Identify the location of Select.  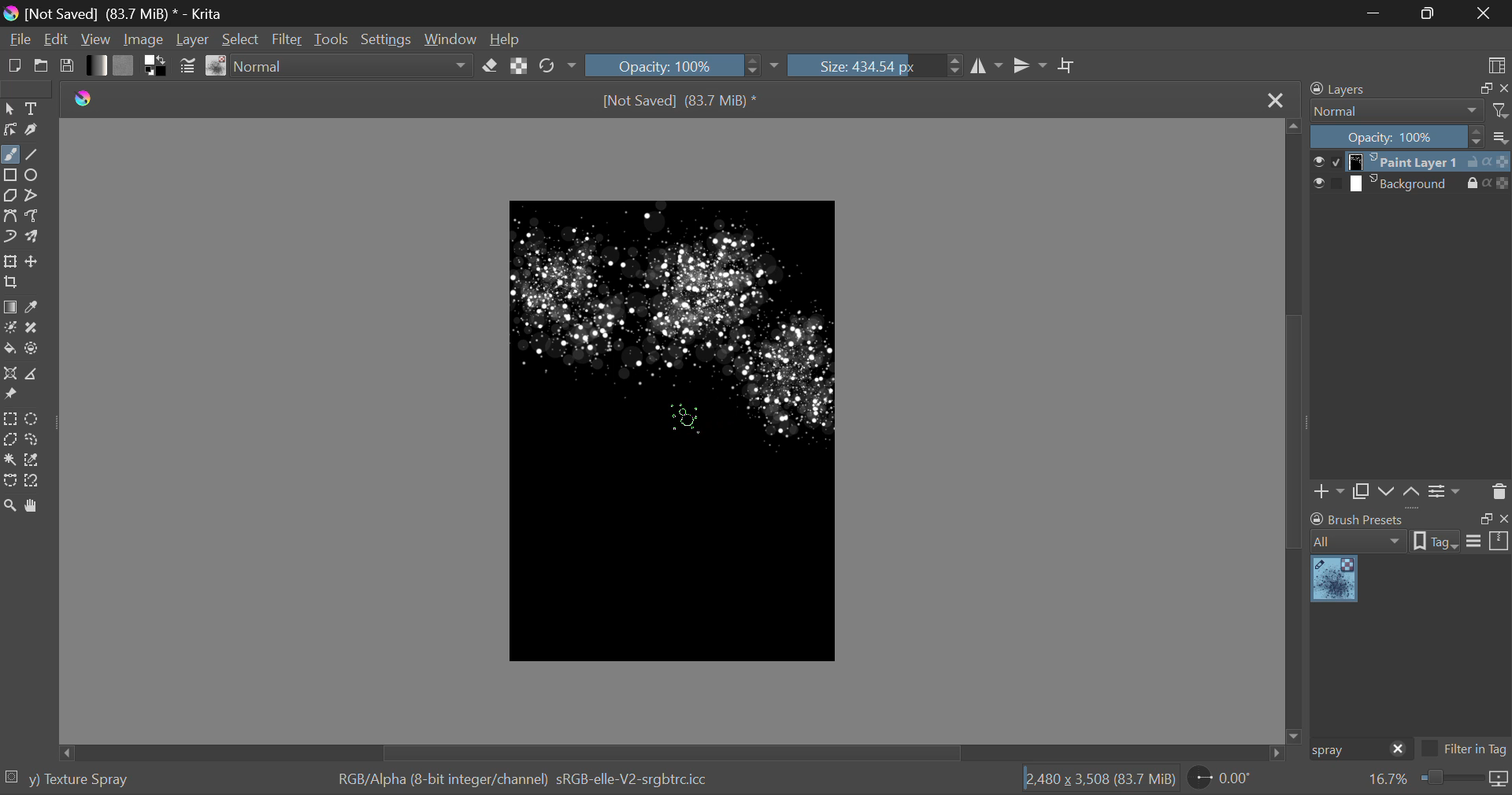
(9, 109).